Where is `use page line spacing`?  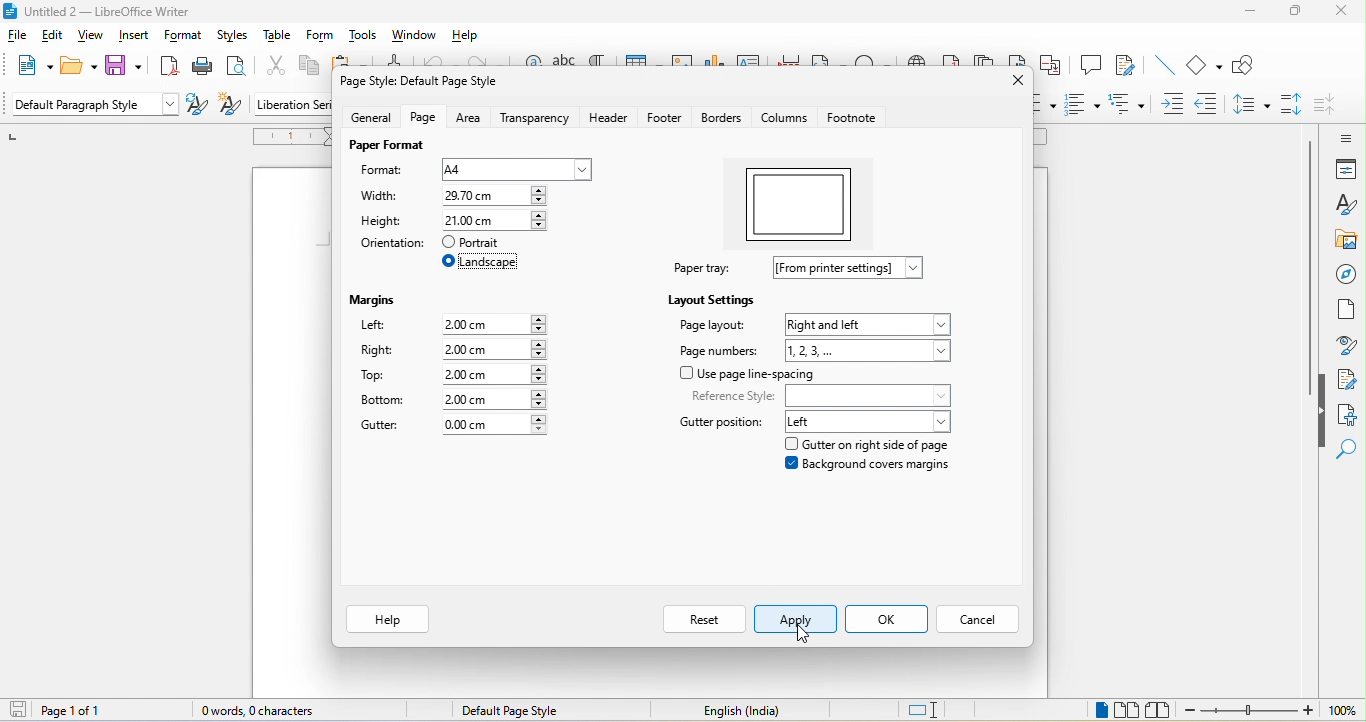 use page line spacing is located at coordinates (748, 376).